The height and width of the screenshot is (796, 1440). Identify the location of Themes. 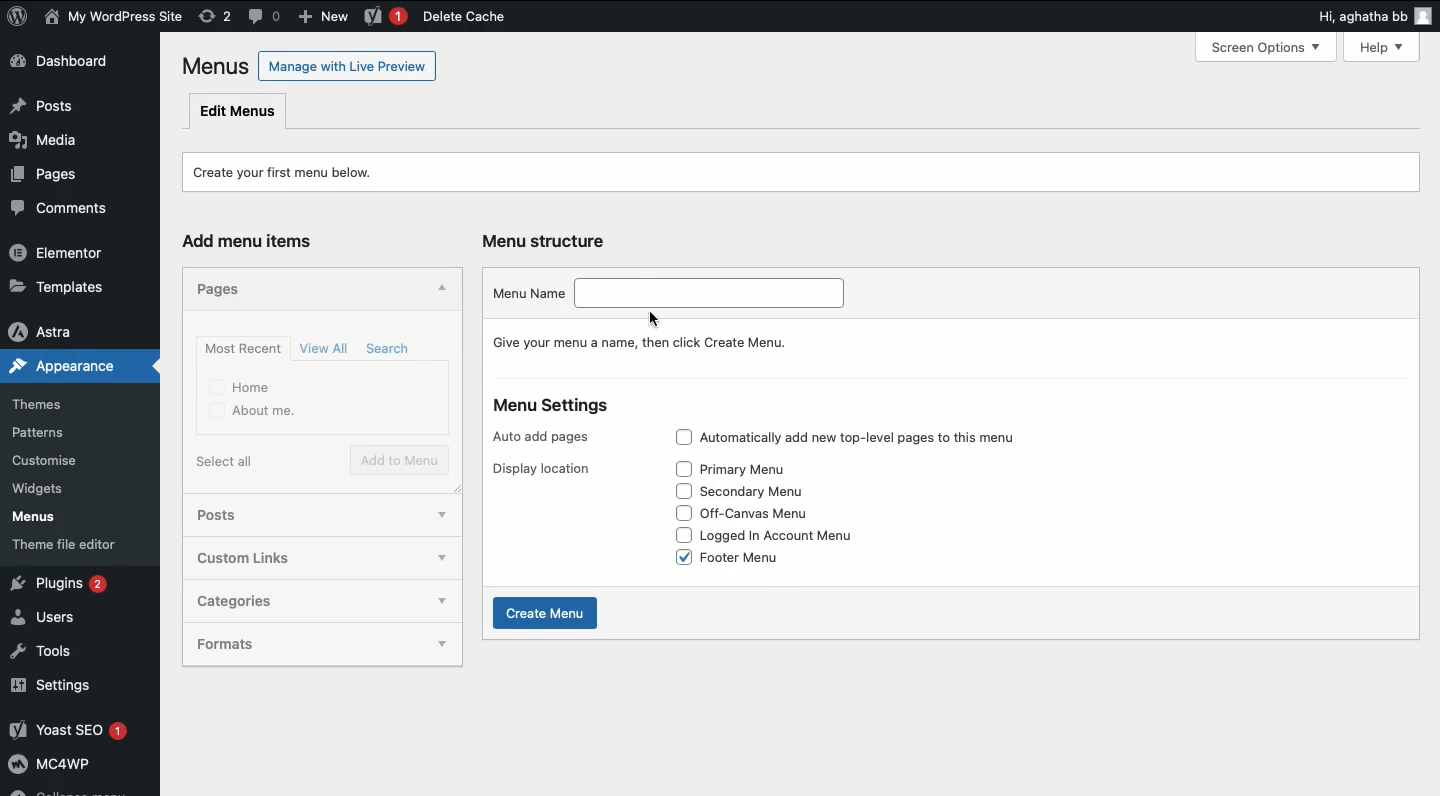
(50, 401).